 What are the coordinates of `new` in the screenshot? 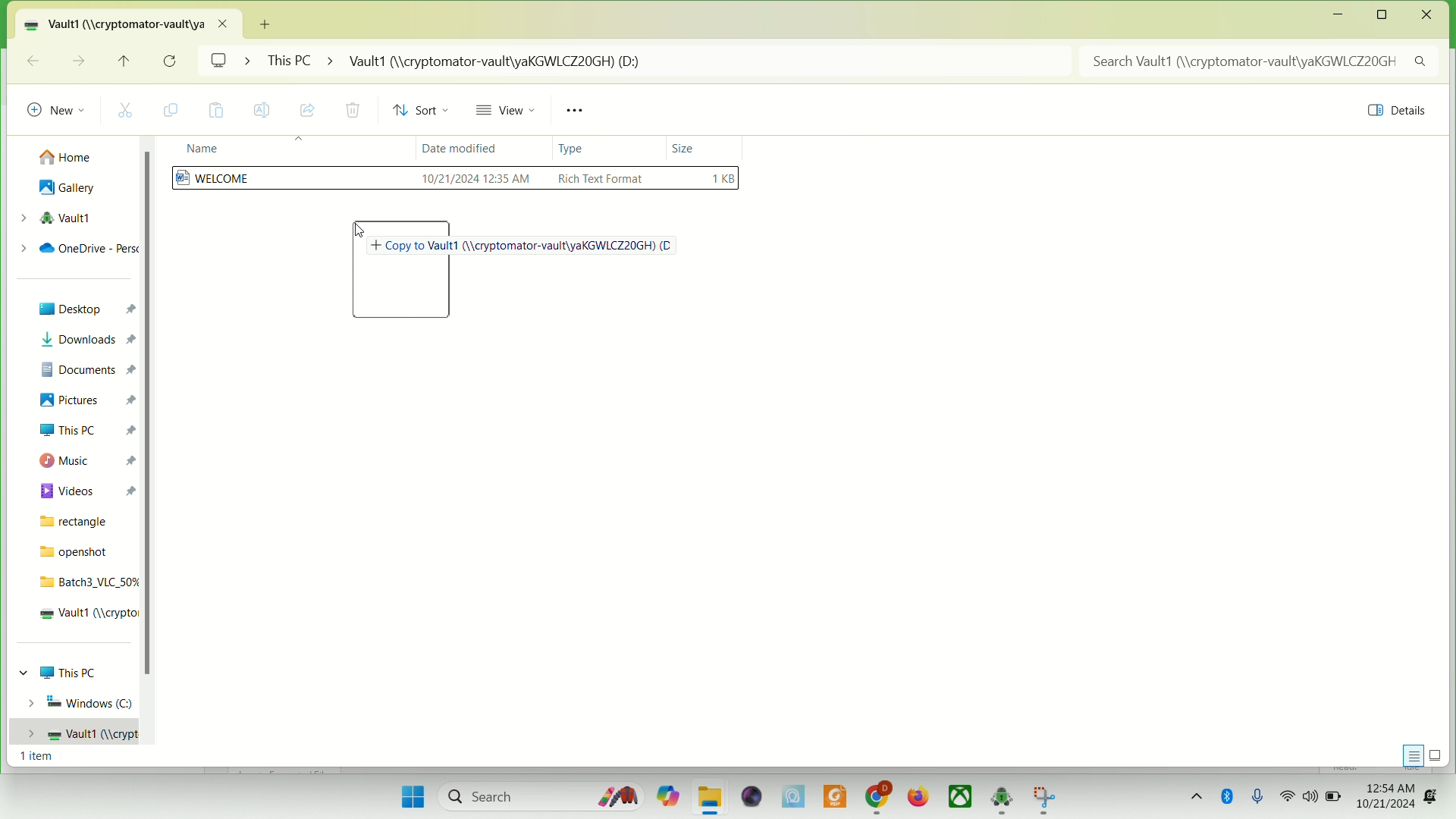 It's located at (56, 106).